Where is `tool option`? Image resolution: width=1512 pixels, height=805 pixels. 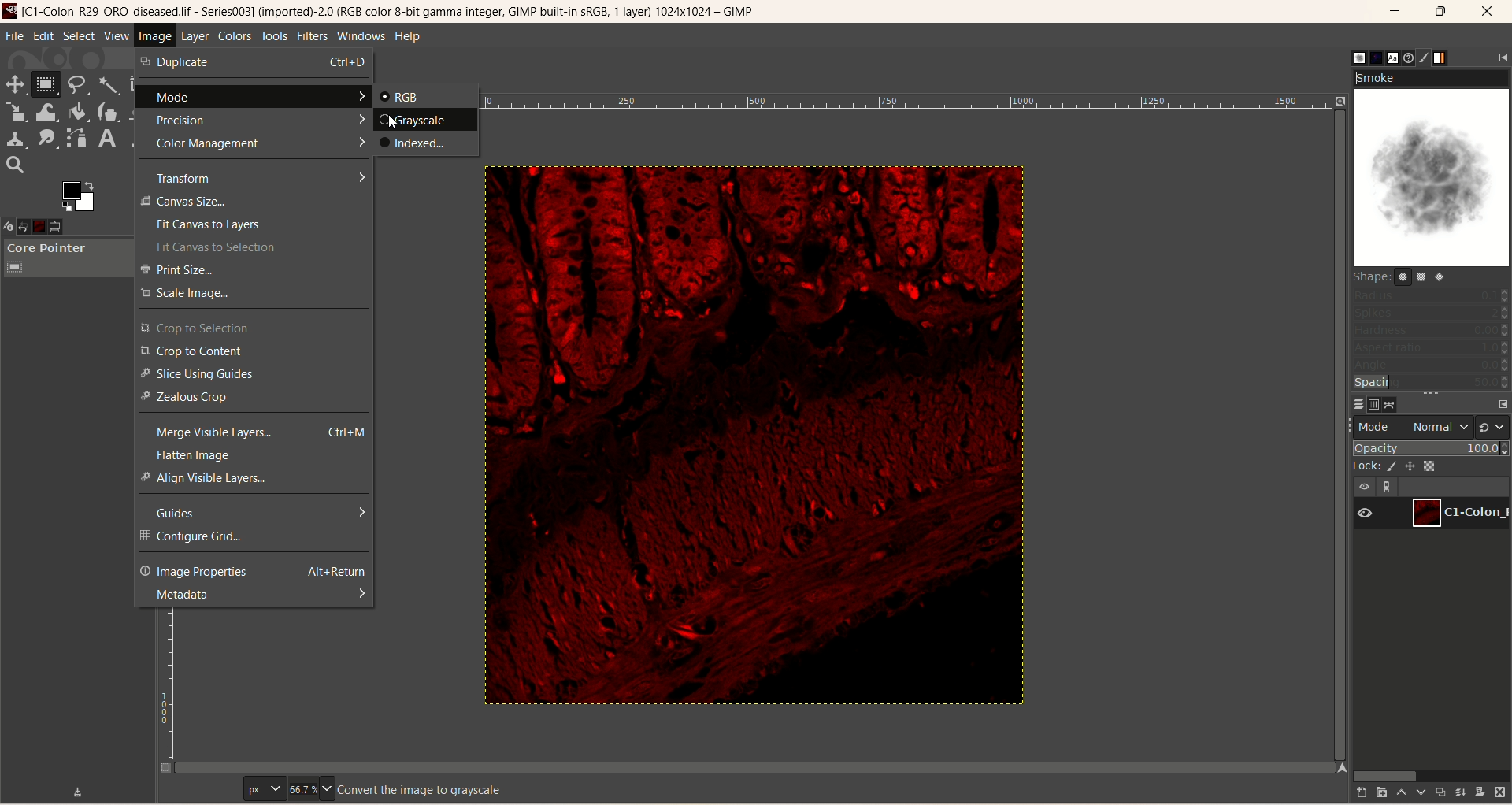
tool option is located at coordinates (57, 226).